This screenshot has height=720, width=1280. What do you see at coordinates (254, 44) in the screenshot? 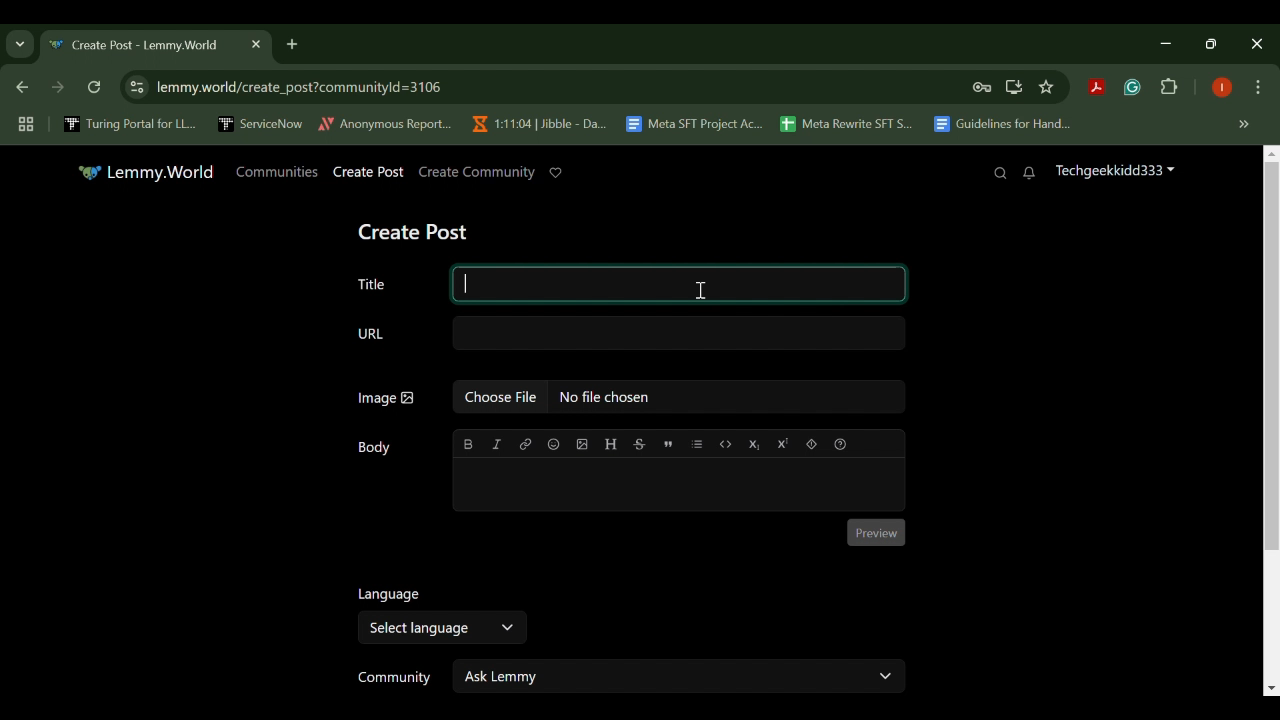
I see `Close Tab` at bounding box center [254, 44].